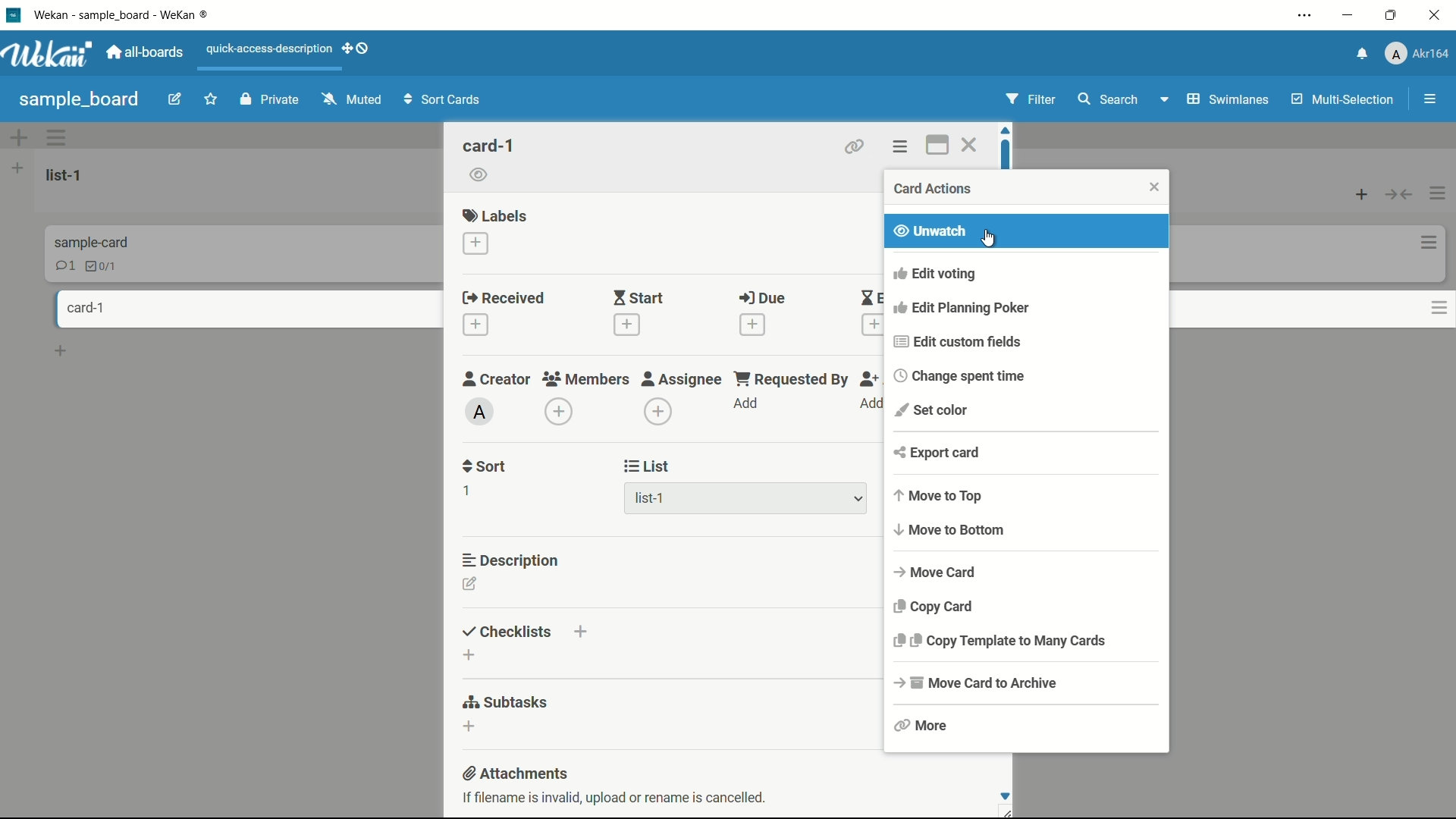  I want to click on card actions, so click(1423, 240).